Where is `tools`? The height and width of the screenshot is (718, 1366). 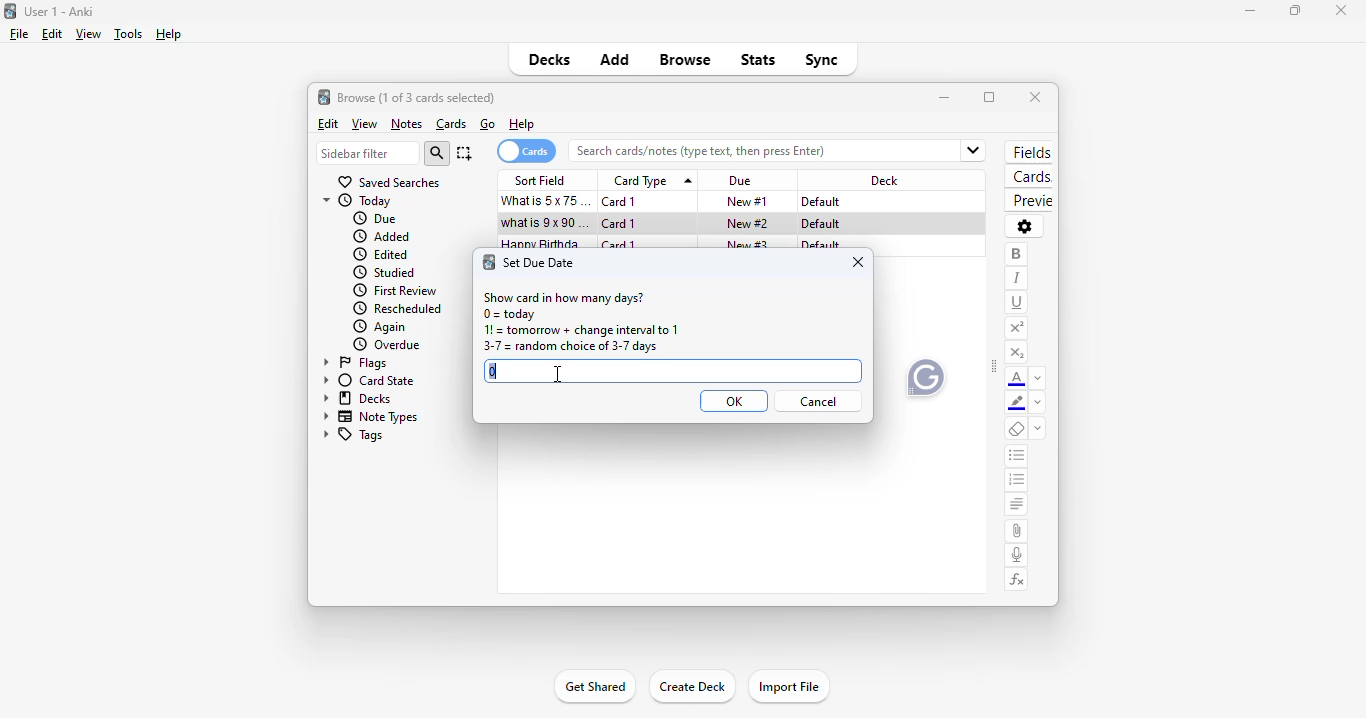 tools is located at coordinates (128, 34).